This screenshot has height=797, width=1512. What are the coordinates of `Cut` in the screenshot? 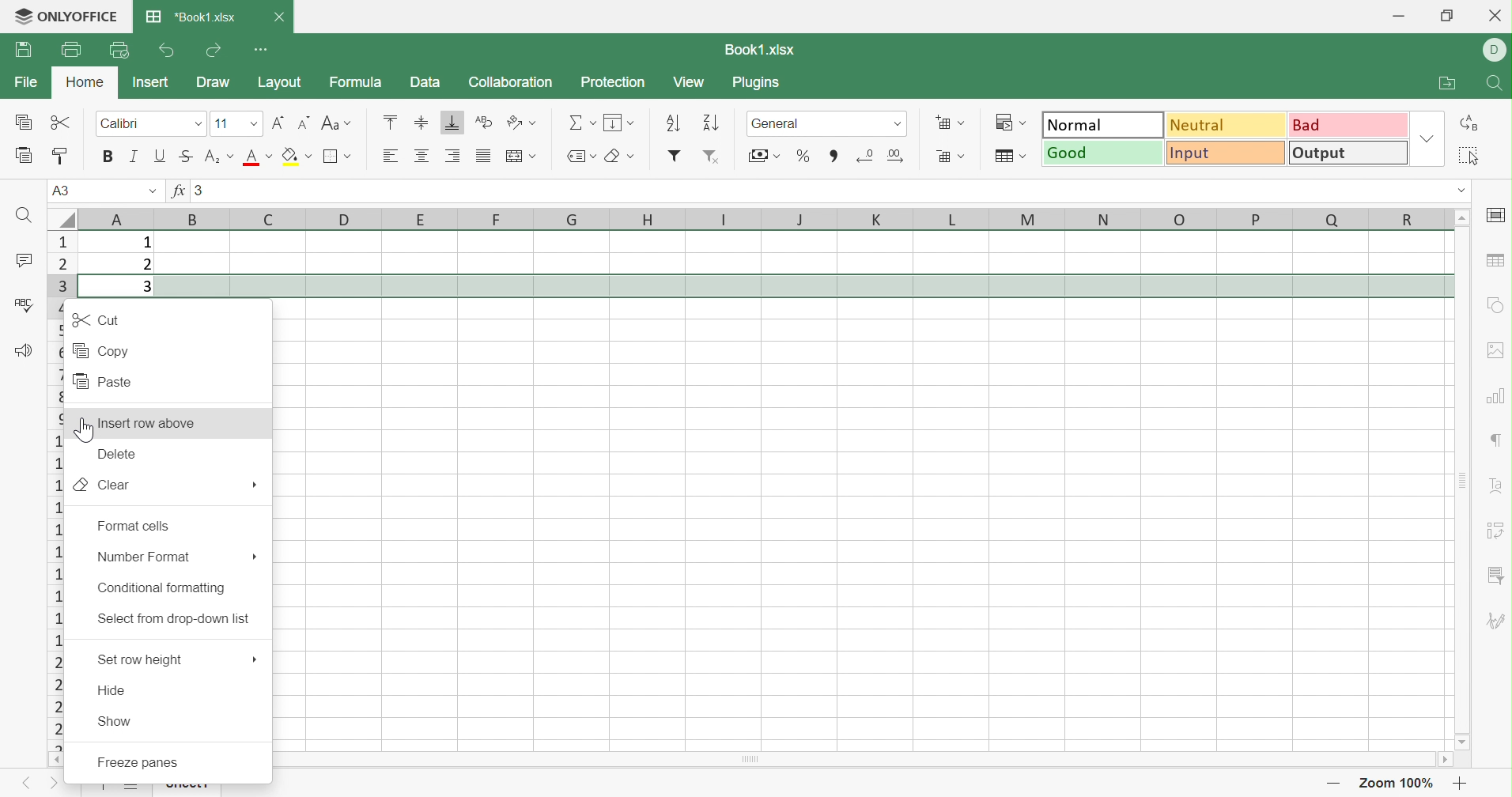 It's located at (95, 319).